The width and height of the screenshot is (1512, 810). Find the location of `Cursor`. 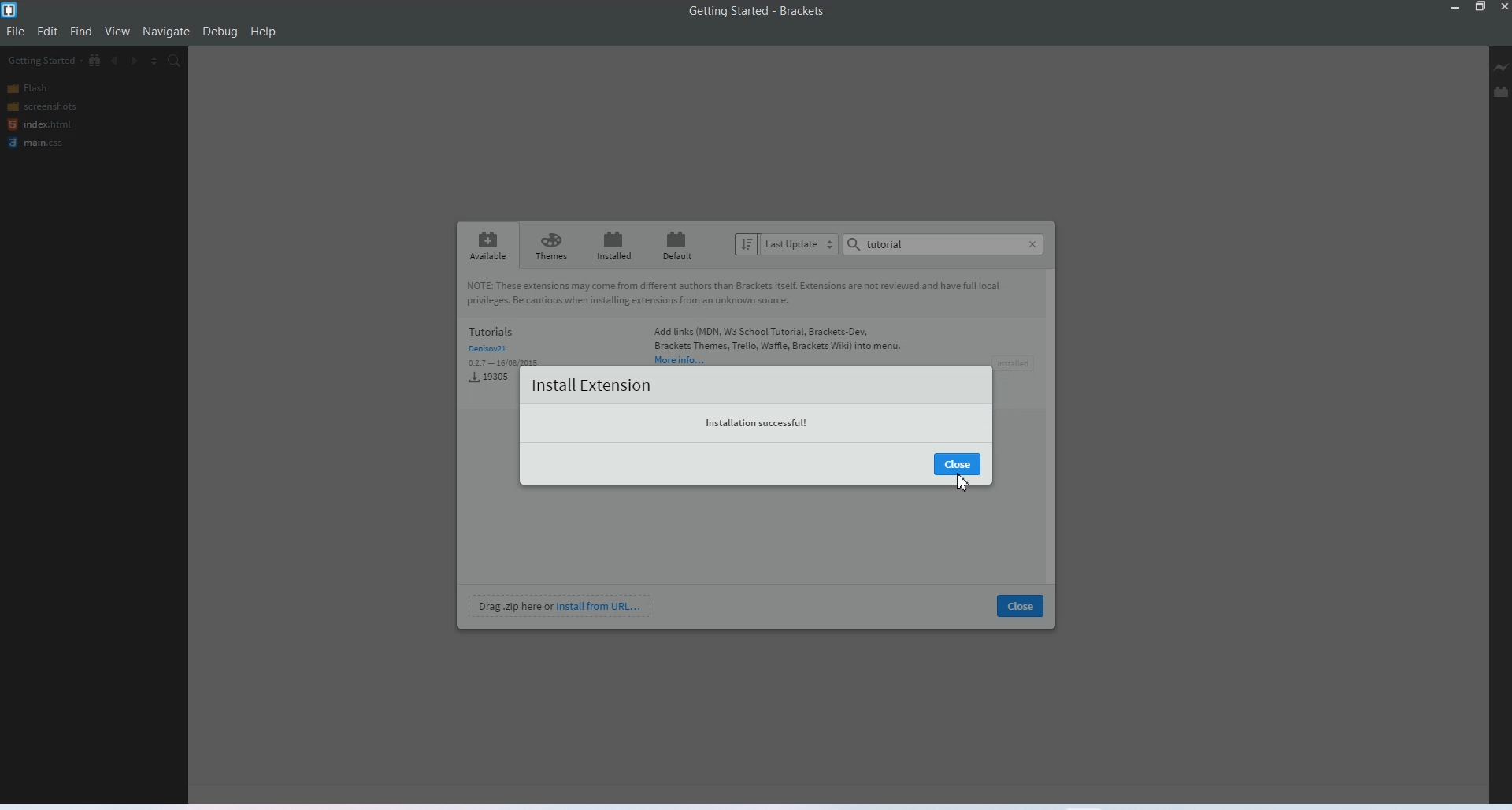

Cursor is located at coordinates (961, 481).